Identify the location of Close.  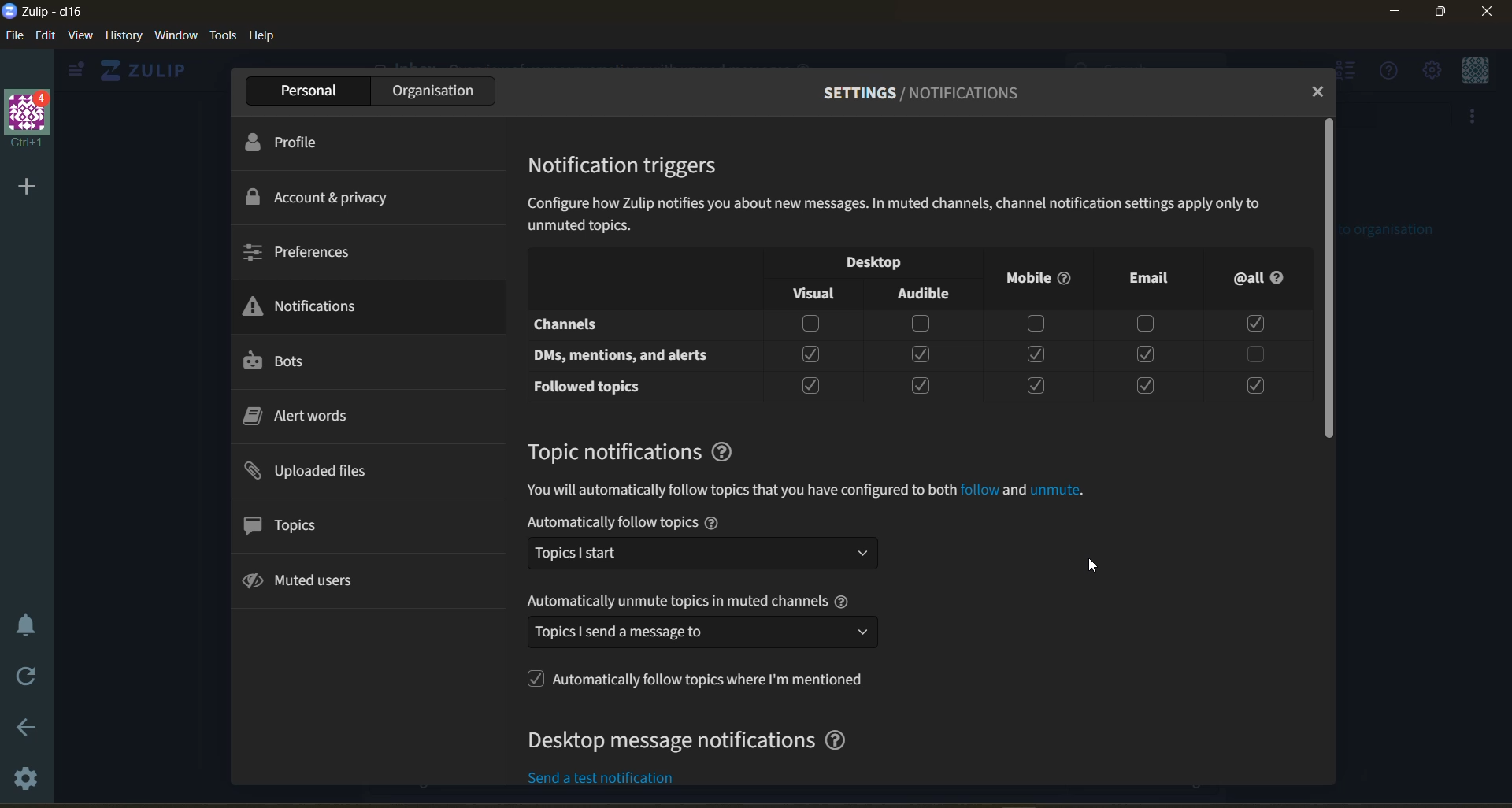
(1487, 17).